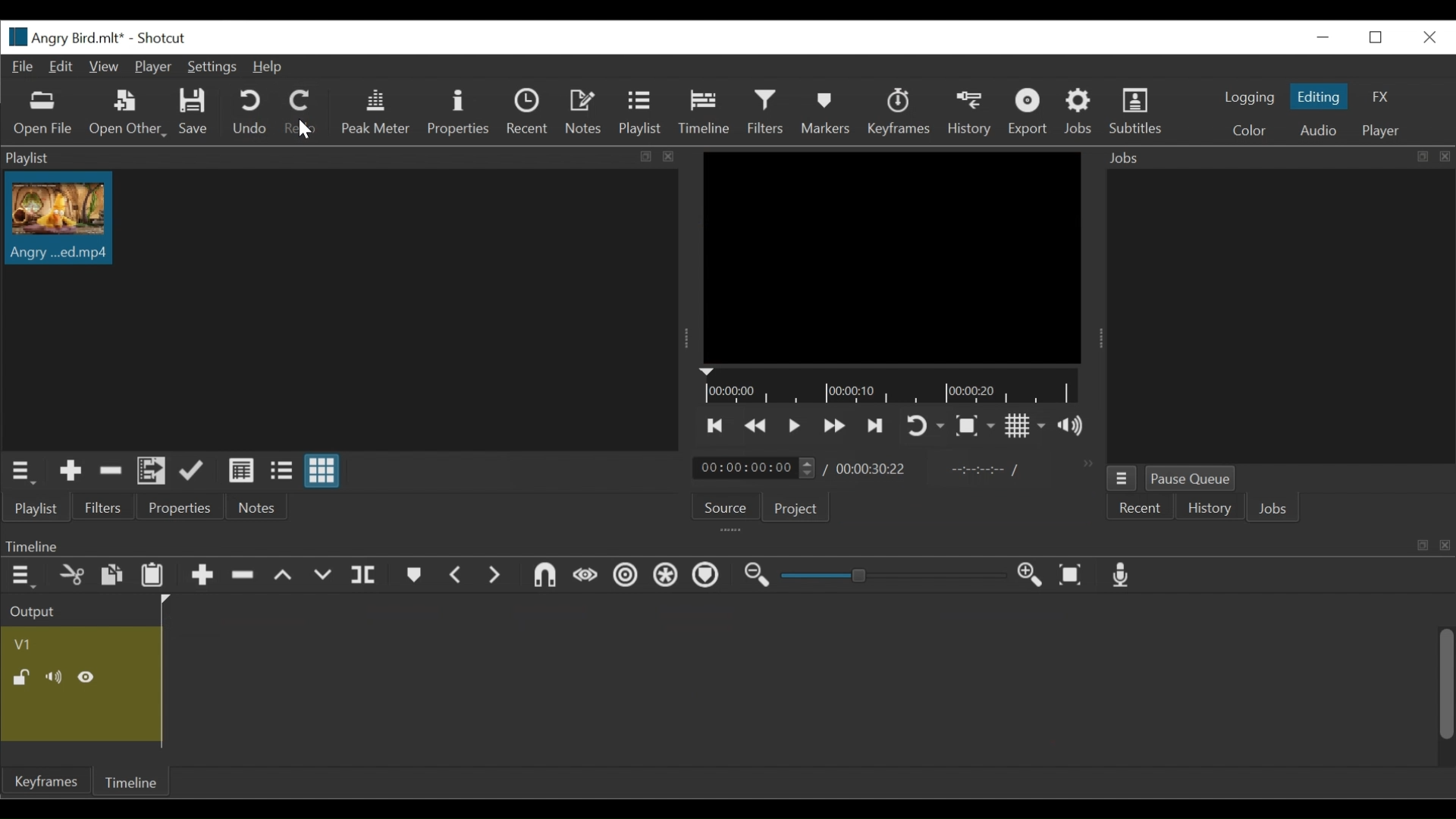 This screenshot has width=1456, height=819. I want to click on Timeline, so click(134, 780).